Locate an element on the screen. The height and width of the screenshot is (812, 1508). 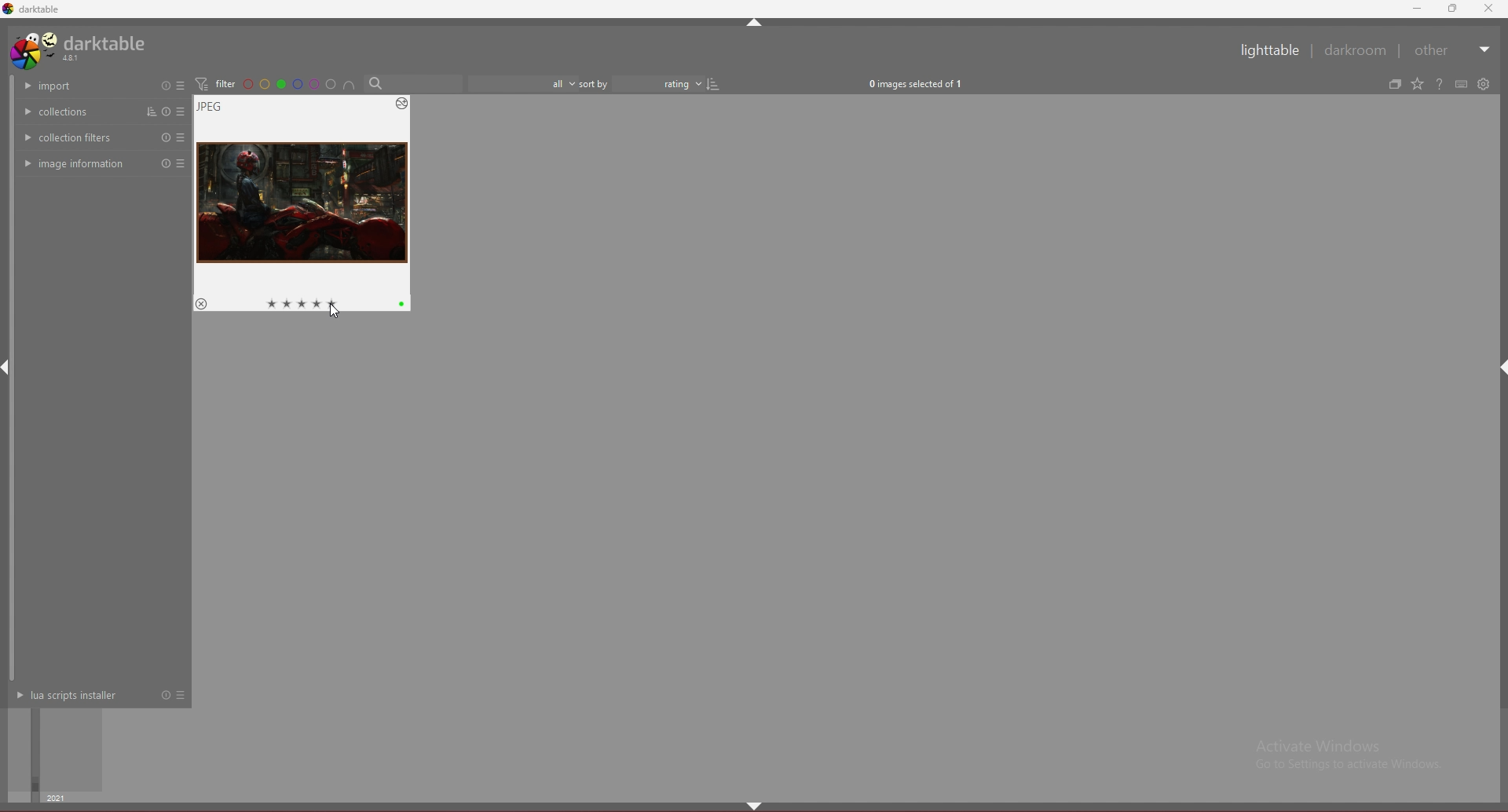
help is located at coordinates (1440, 84).